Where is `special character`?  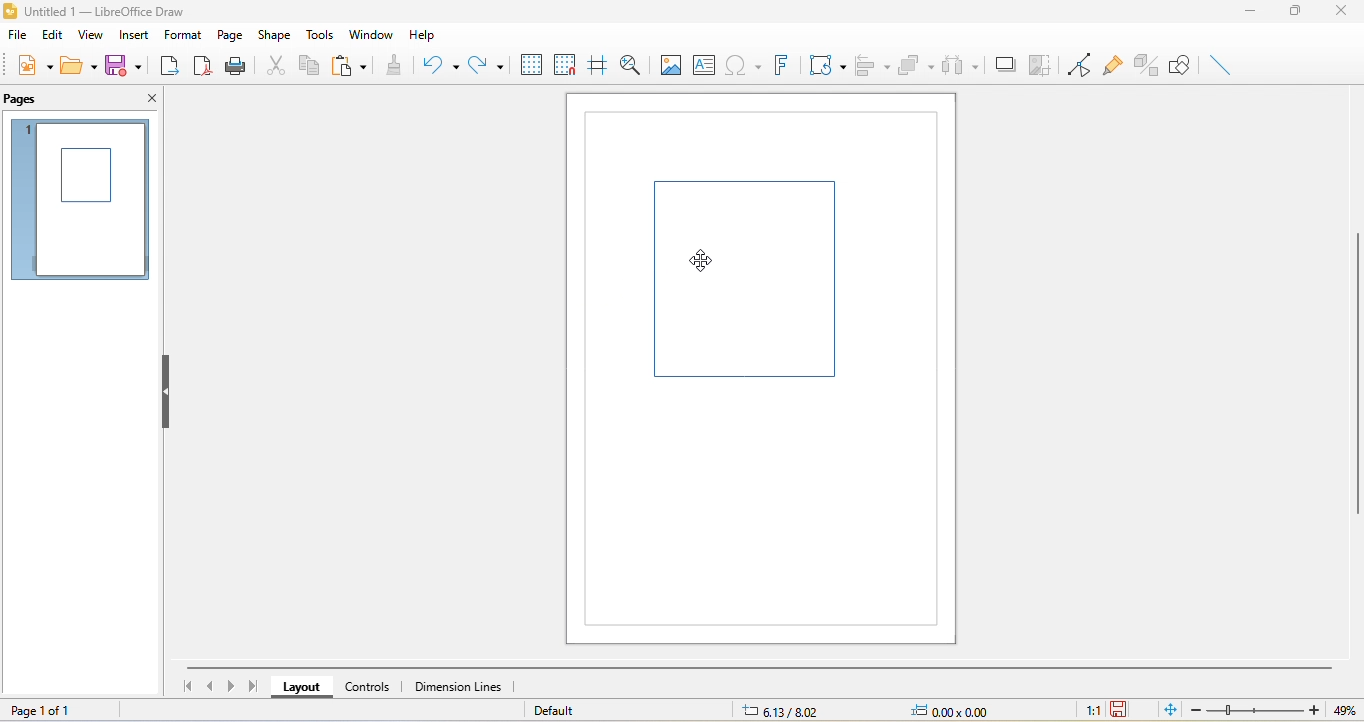 special character is located at coordinates (746, 66).